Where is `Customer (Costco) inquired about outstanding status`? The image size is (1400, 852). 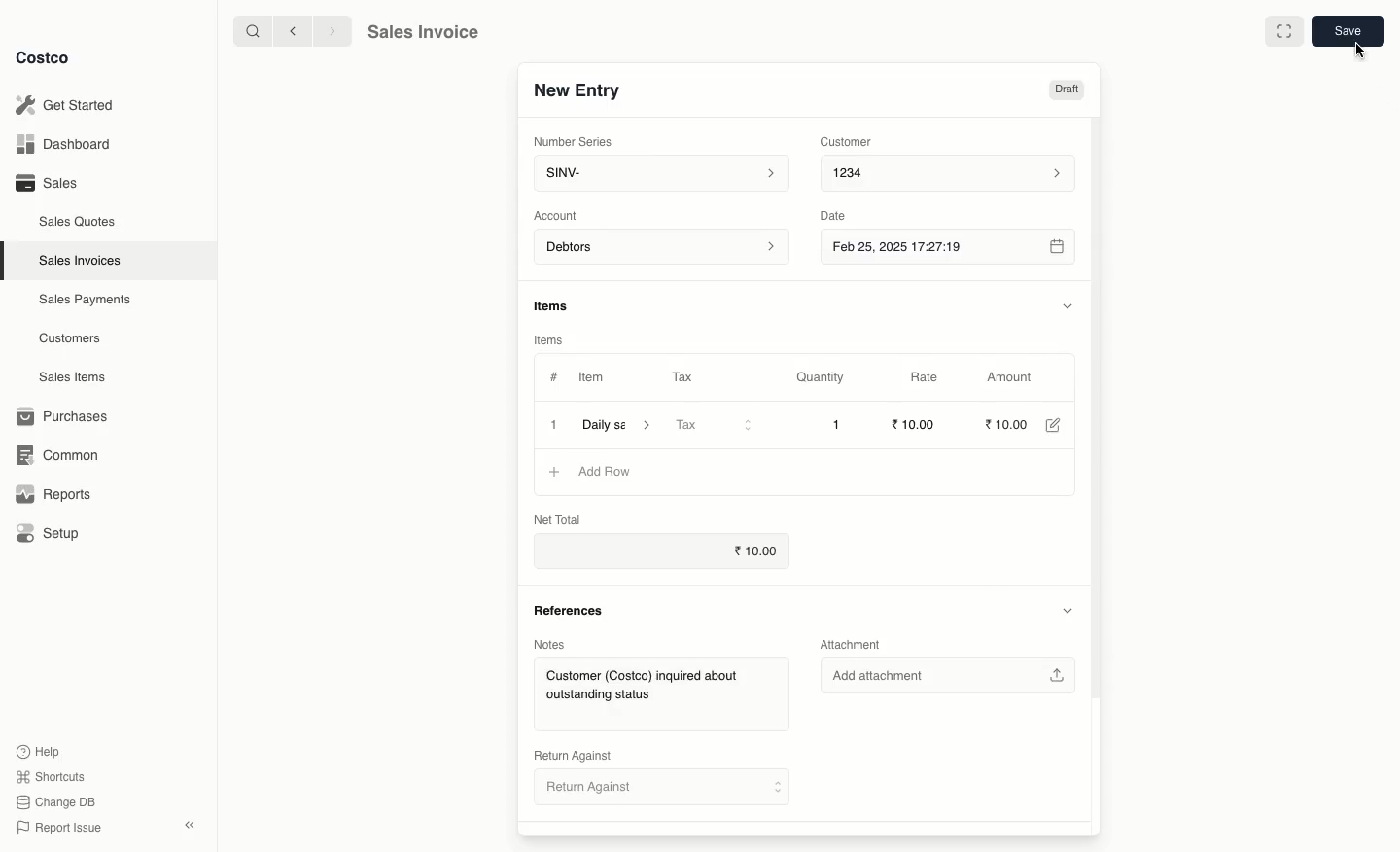 Customer (Costco) inquired about outstanding status is located at coordinates (661, 697).